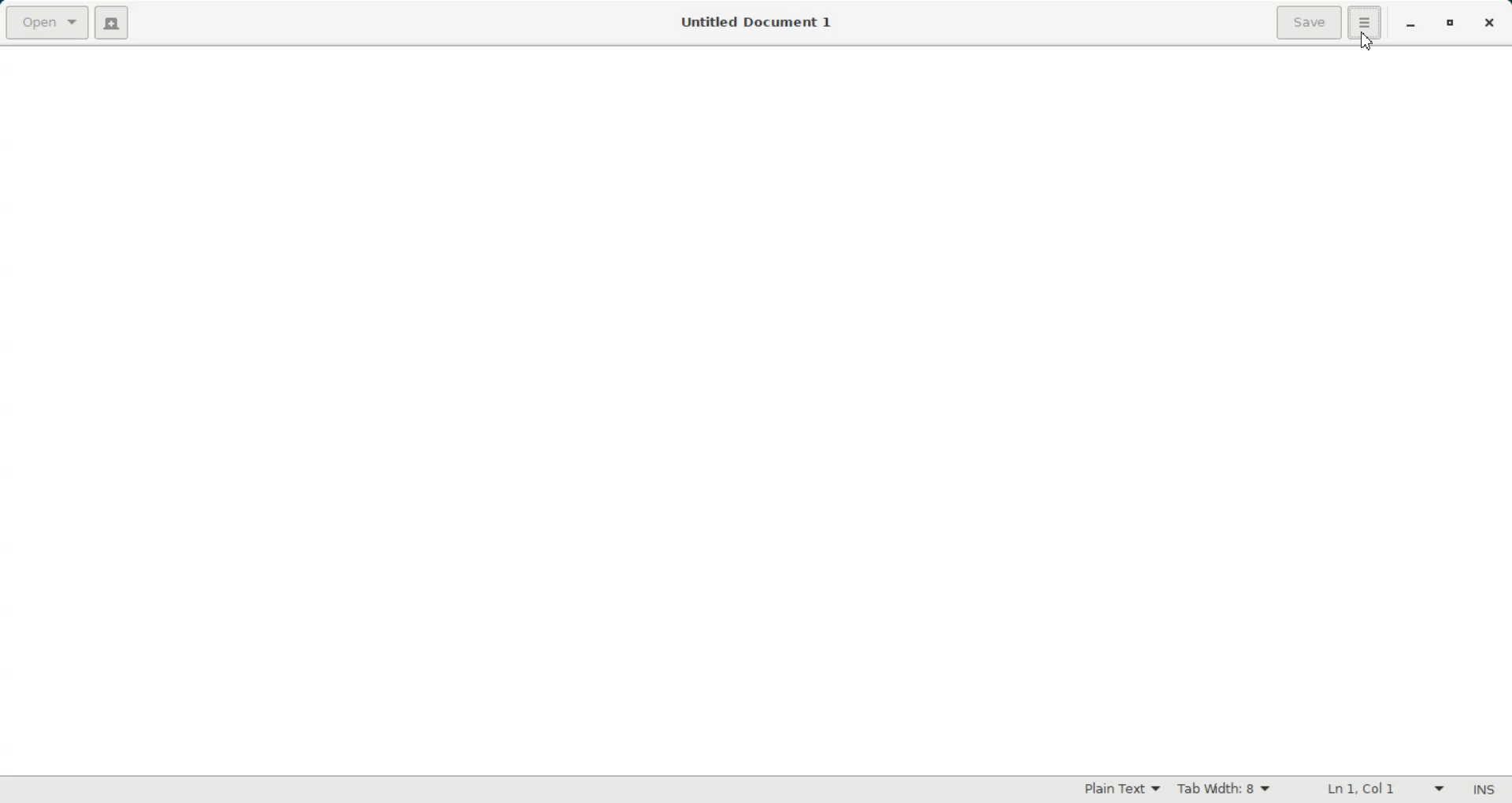 Image resolution: width=1512 pixels, height=803 pixels. I want to click on Minimize, so click(1411, 24).